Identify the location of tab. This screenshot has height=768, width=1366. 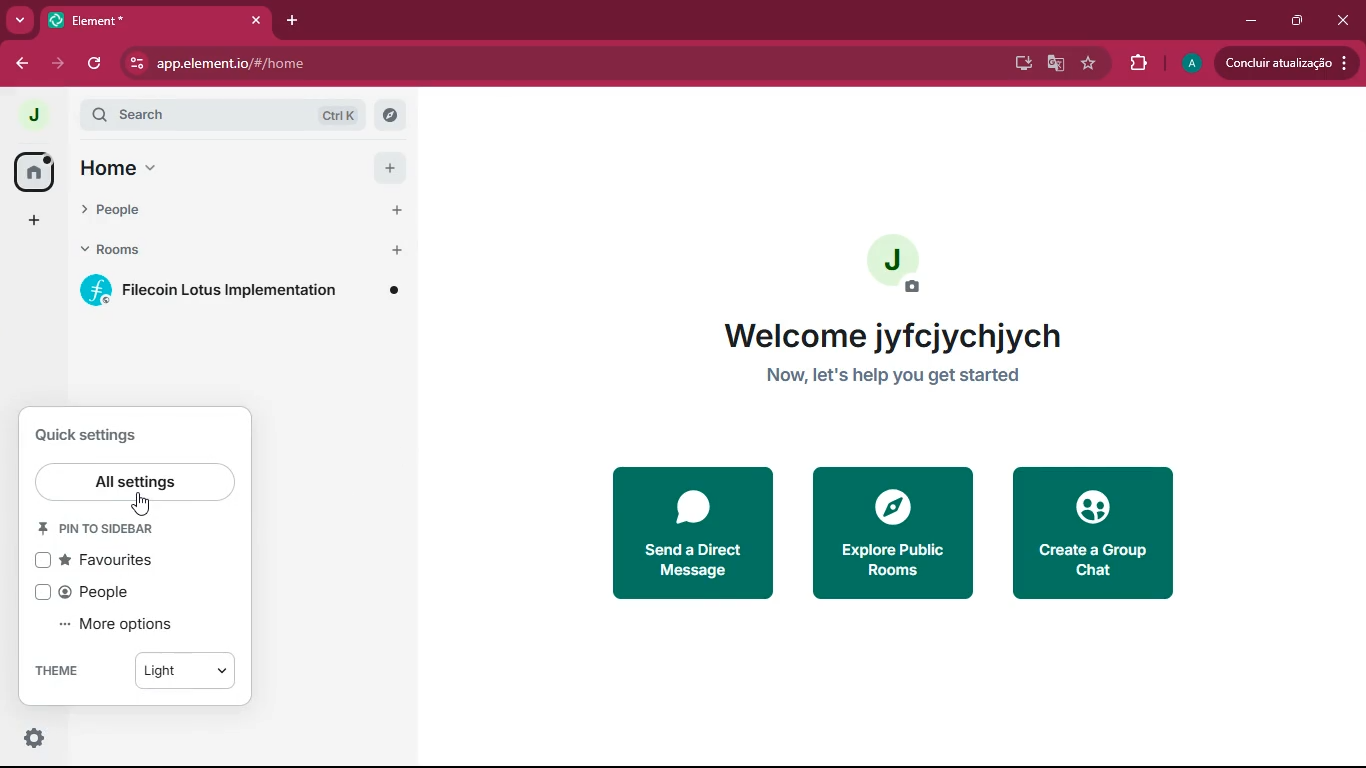
(131, 20).